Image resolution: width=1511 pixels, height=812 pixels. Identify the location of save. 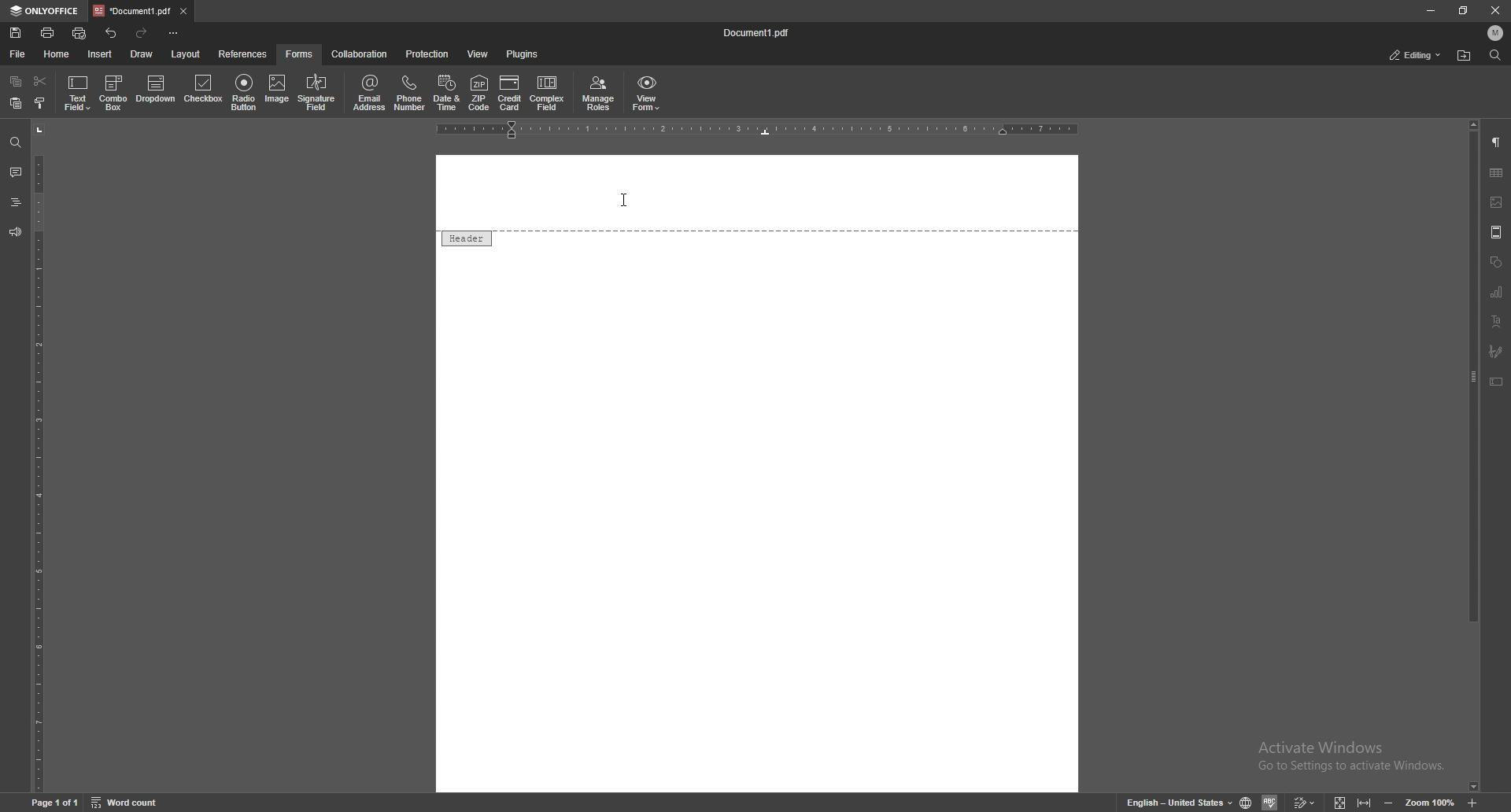
(17, 32).